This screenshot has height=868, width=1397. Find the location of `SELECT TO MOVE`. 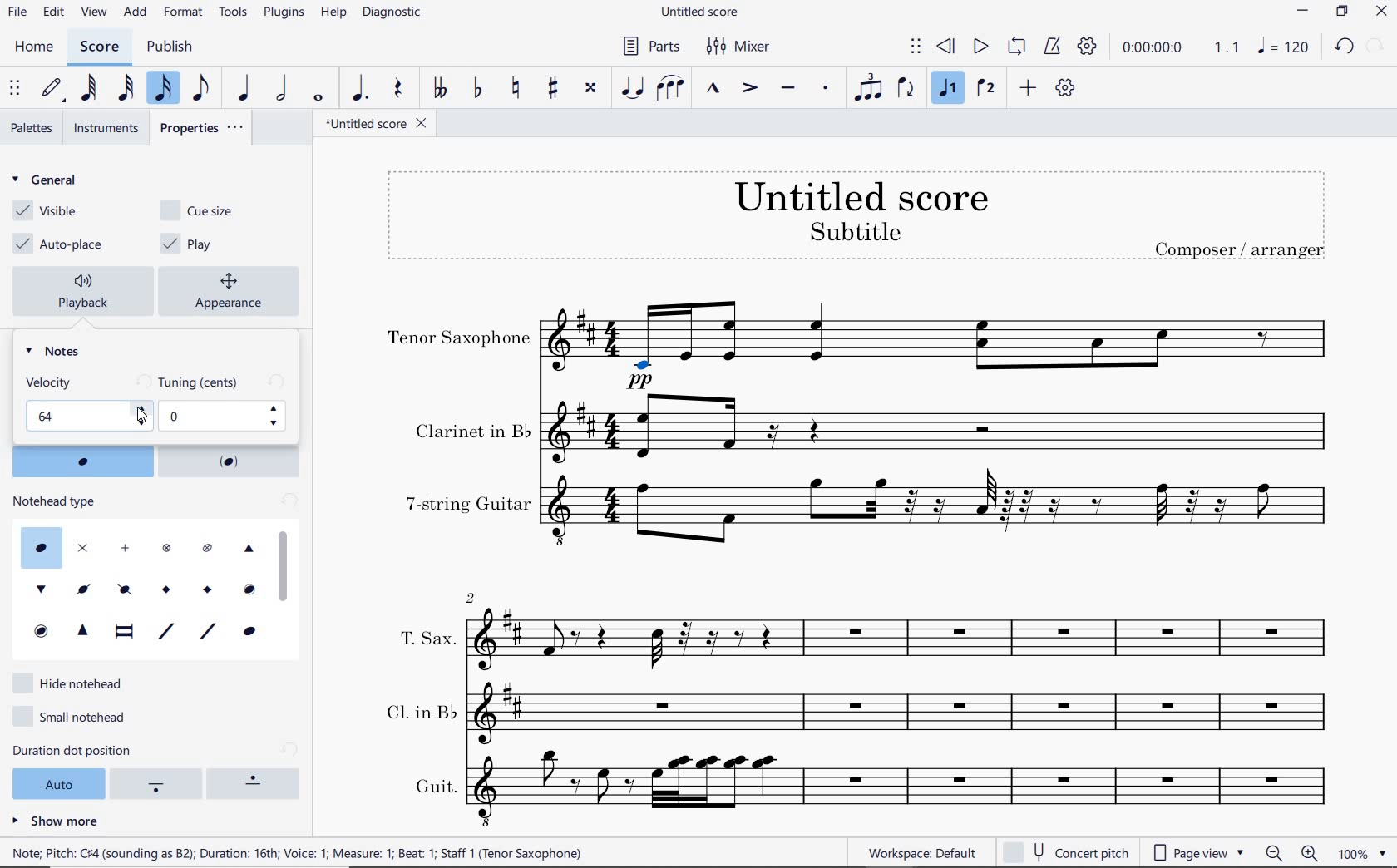

SELECT TO MOVE is located at coordinates (16, 88).